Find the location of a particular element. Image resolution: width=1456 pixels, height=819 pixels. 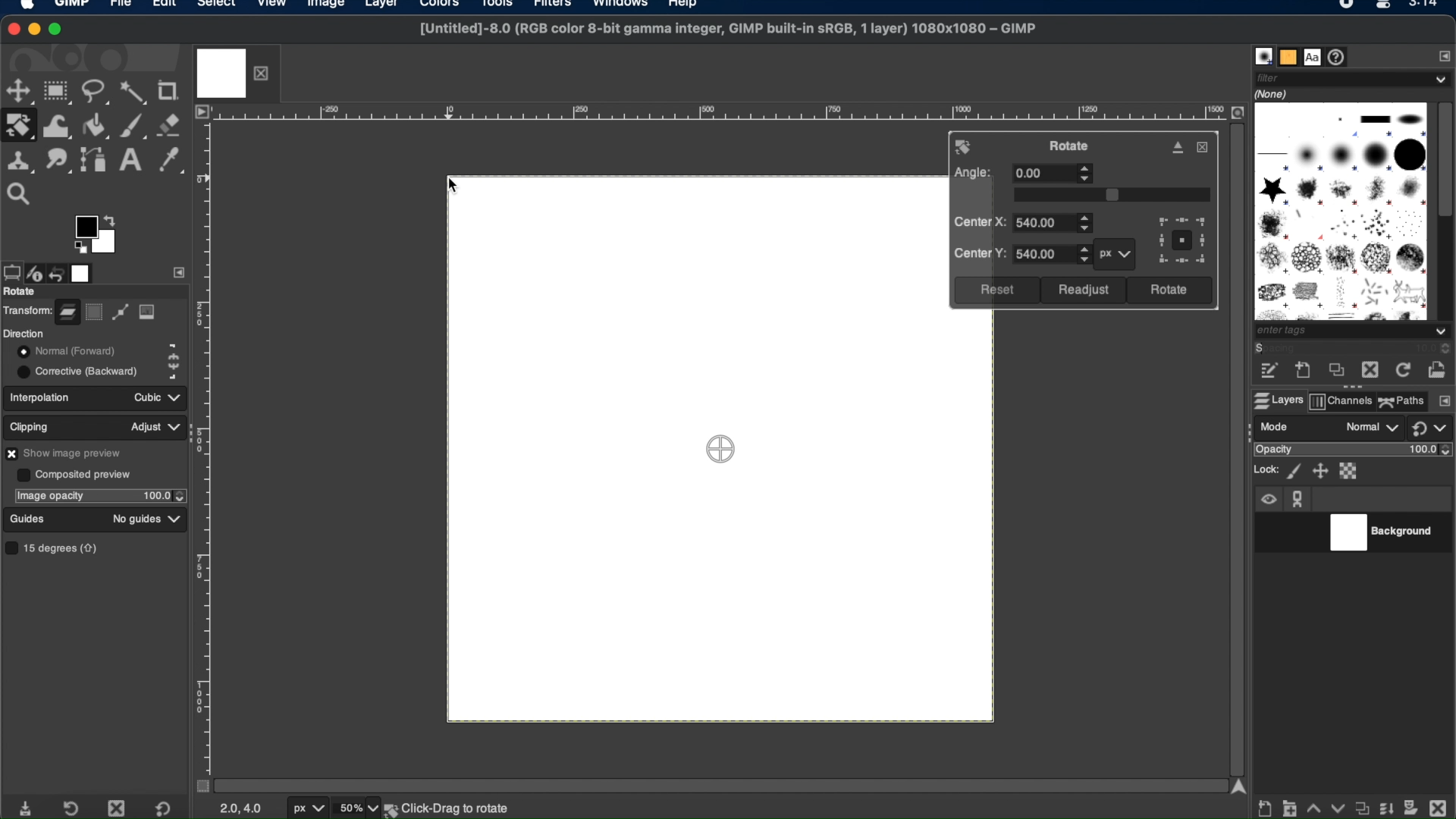

opacity is located at coordinates (1273, 450).